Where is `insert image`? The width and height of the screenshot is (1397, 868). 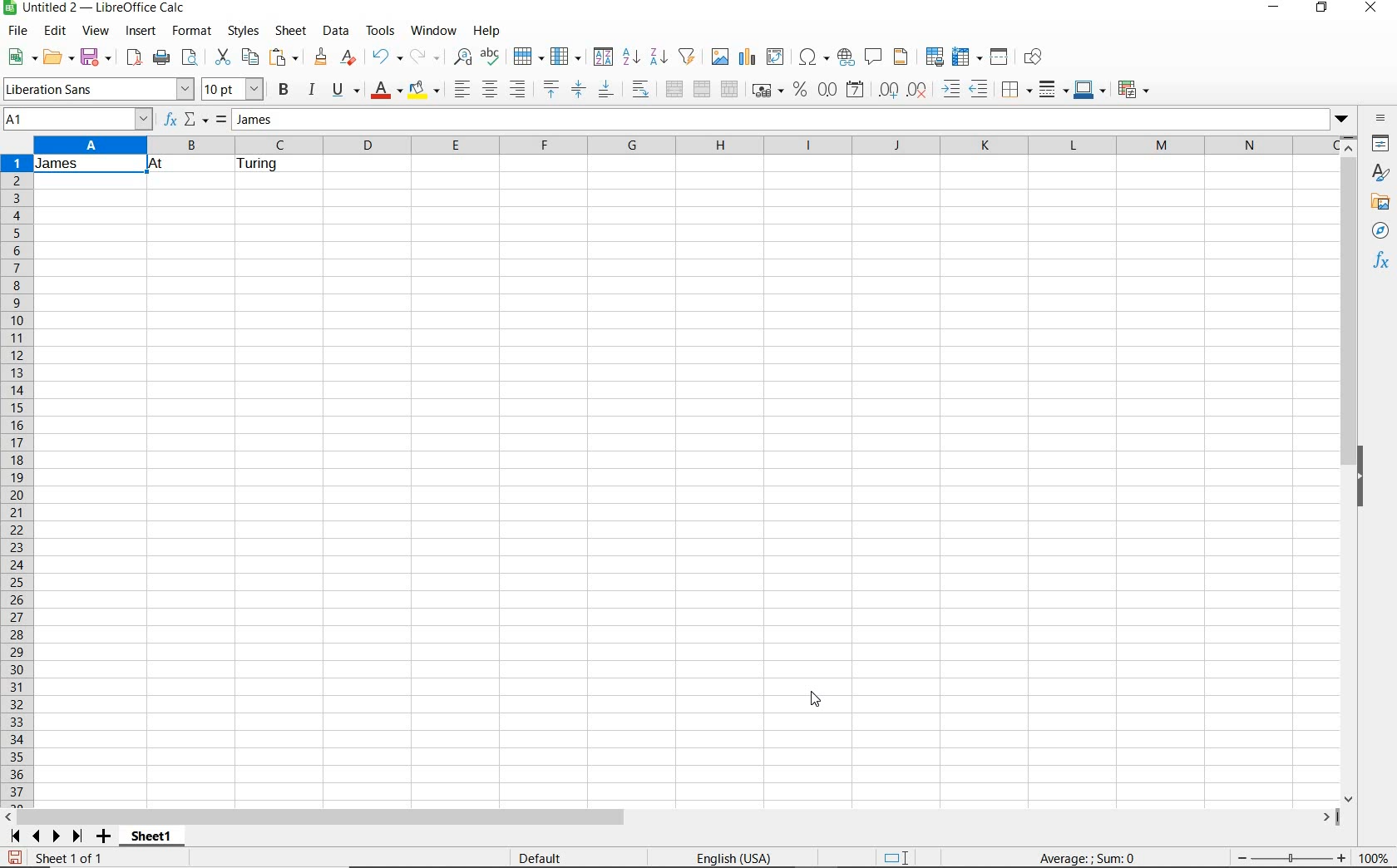
insert image is located at coordinates (721, 57).